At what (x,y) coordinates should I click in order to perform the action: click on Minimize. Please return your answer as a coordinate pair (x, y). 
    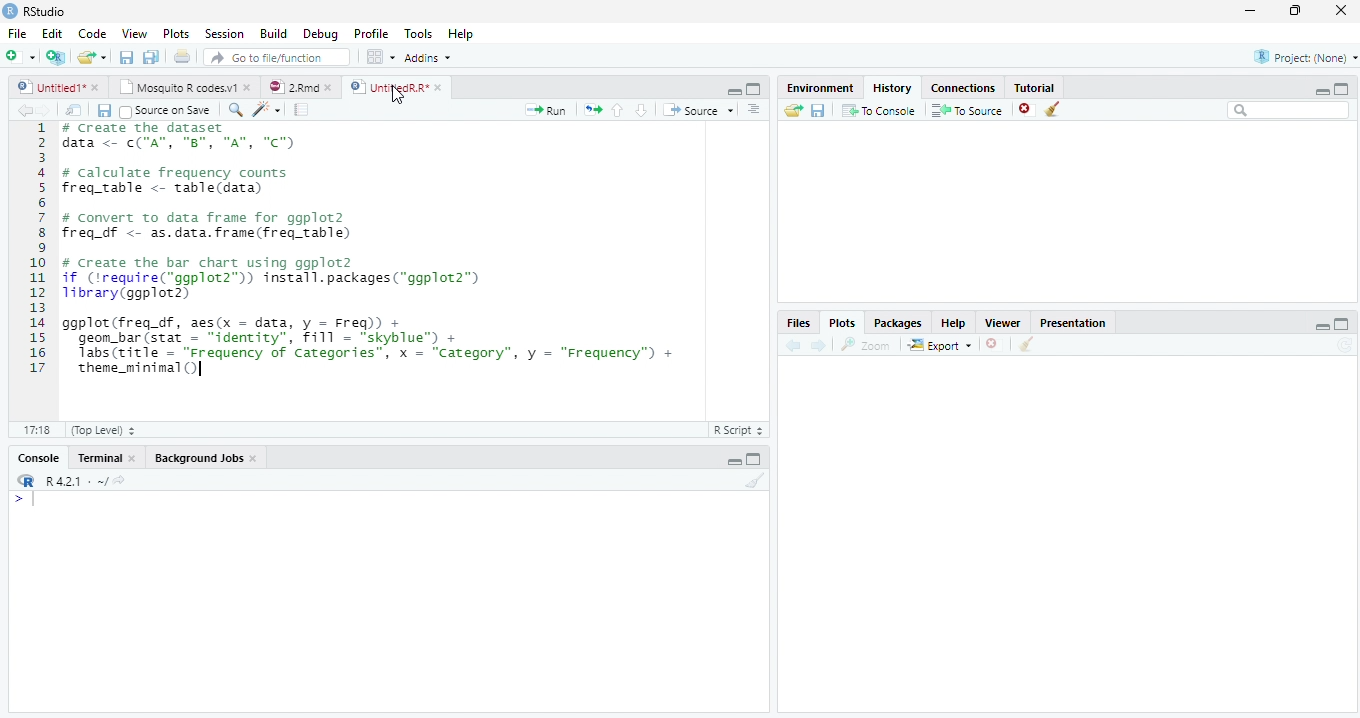
    Looking at the image, I should click on (1321, 92).